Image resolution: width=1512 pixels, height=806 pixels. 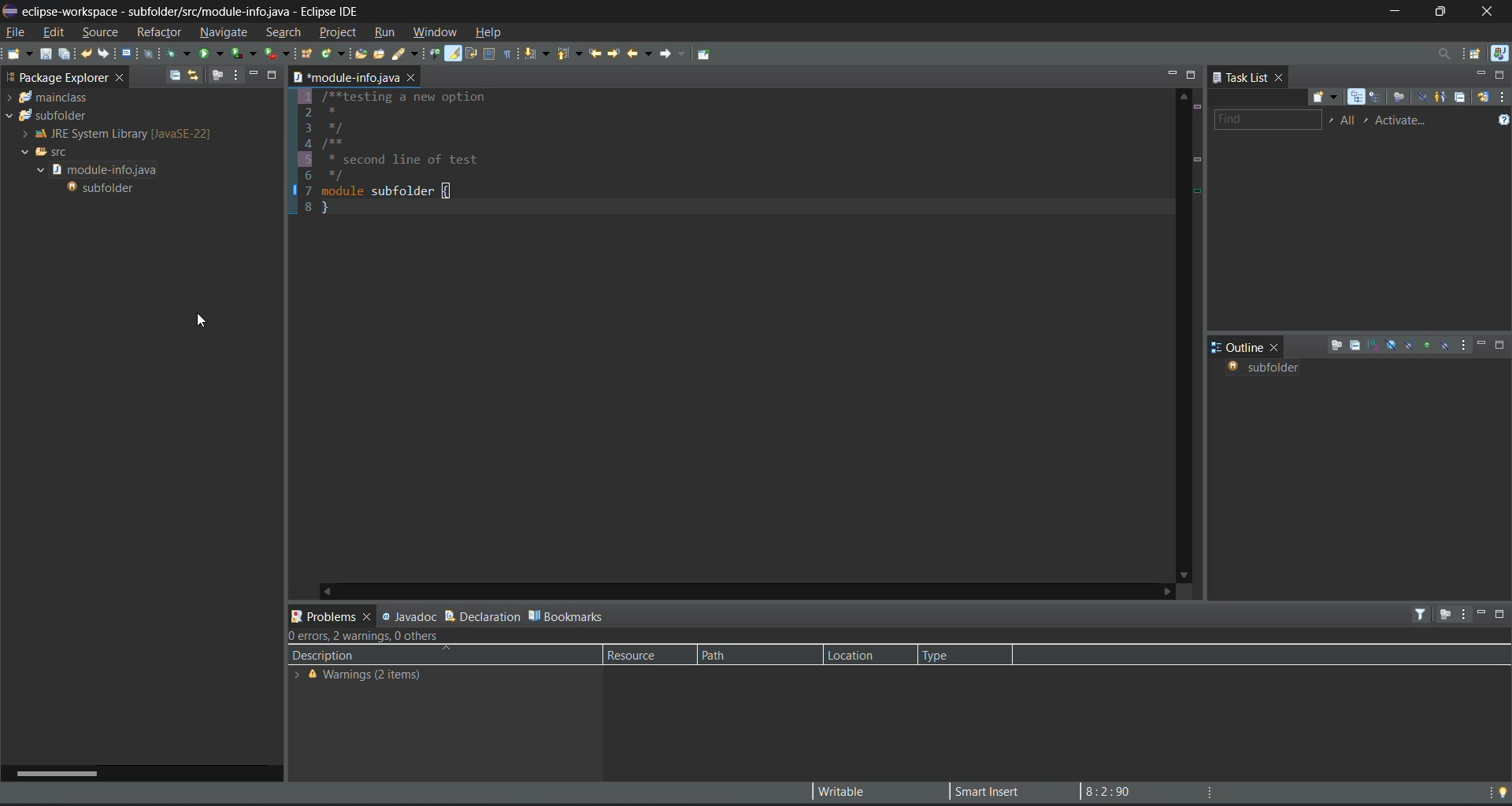 I want to click on hide non public members, so click(x=1428, y=343).